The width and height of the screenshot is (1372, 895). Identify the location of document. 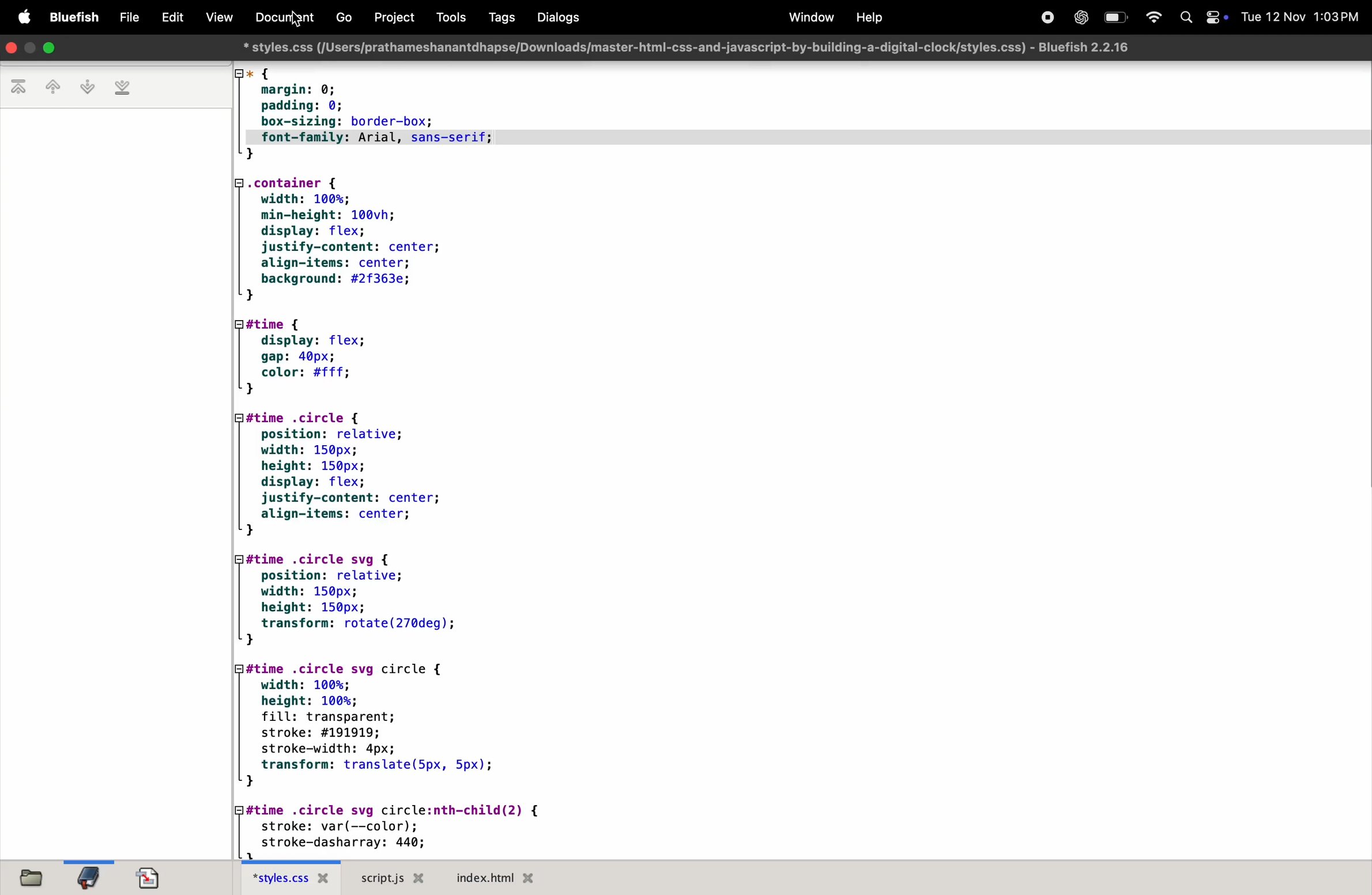
(156, 878).